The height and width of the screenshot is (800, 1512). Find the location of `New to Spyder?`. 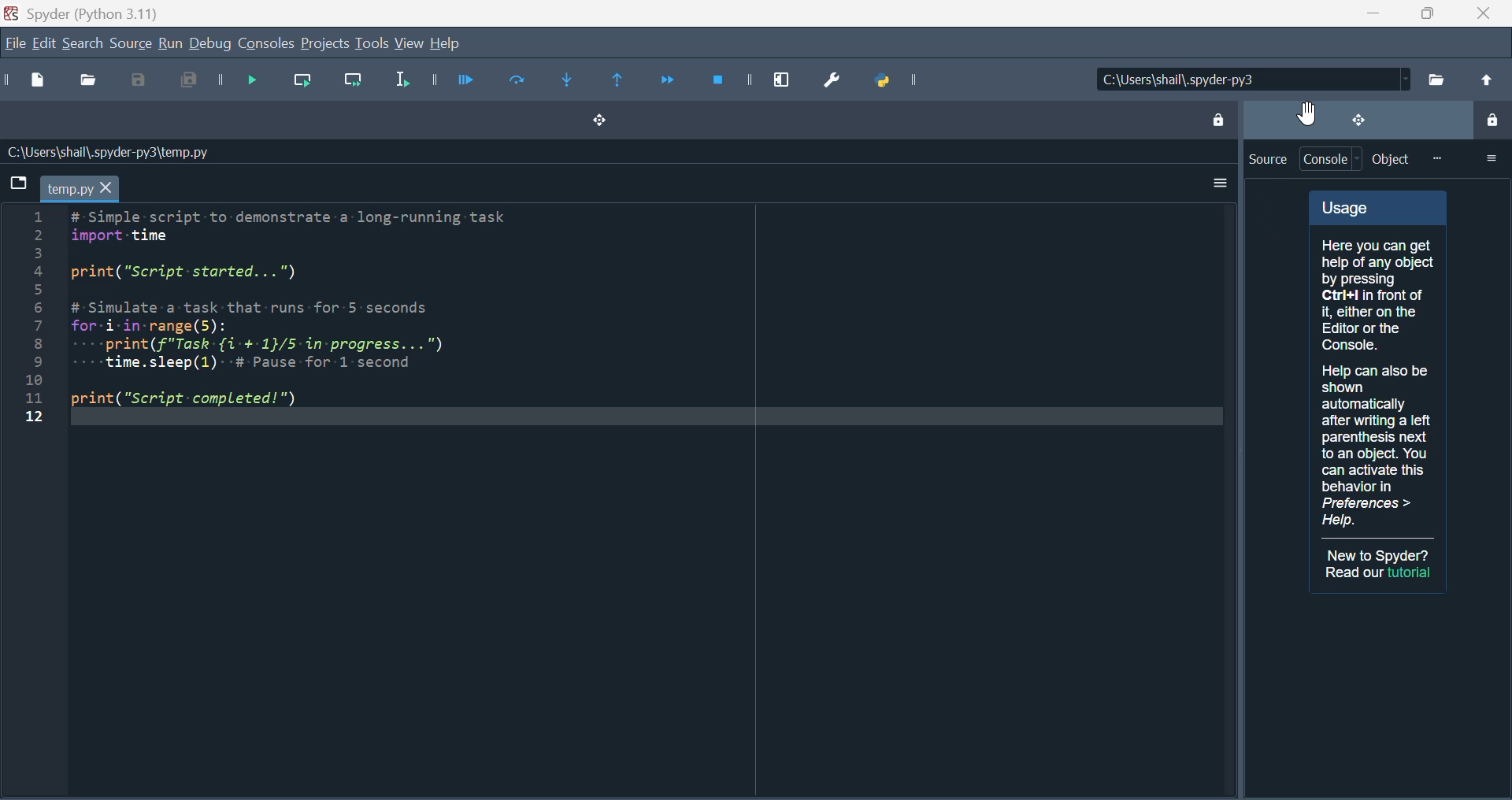

New to Spyder? is located at coordinates (1380, 555).